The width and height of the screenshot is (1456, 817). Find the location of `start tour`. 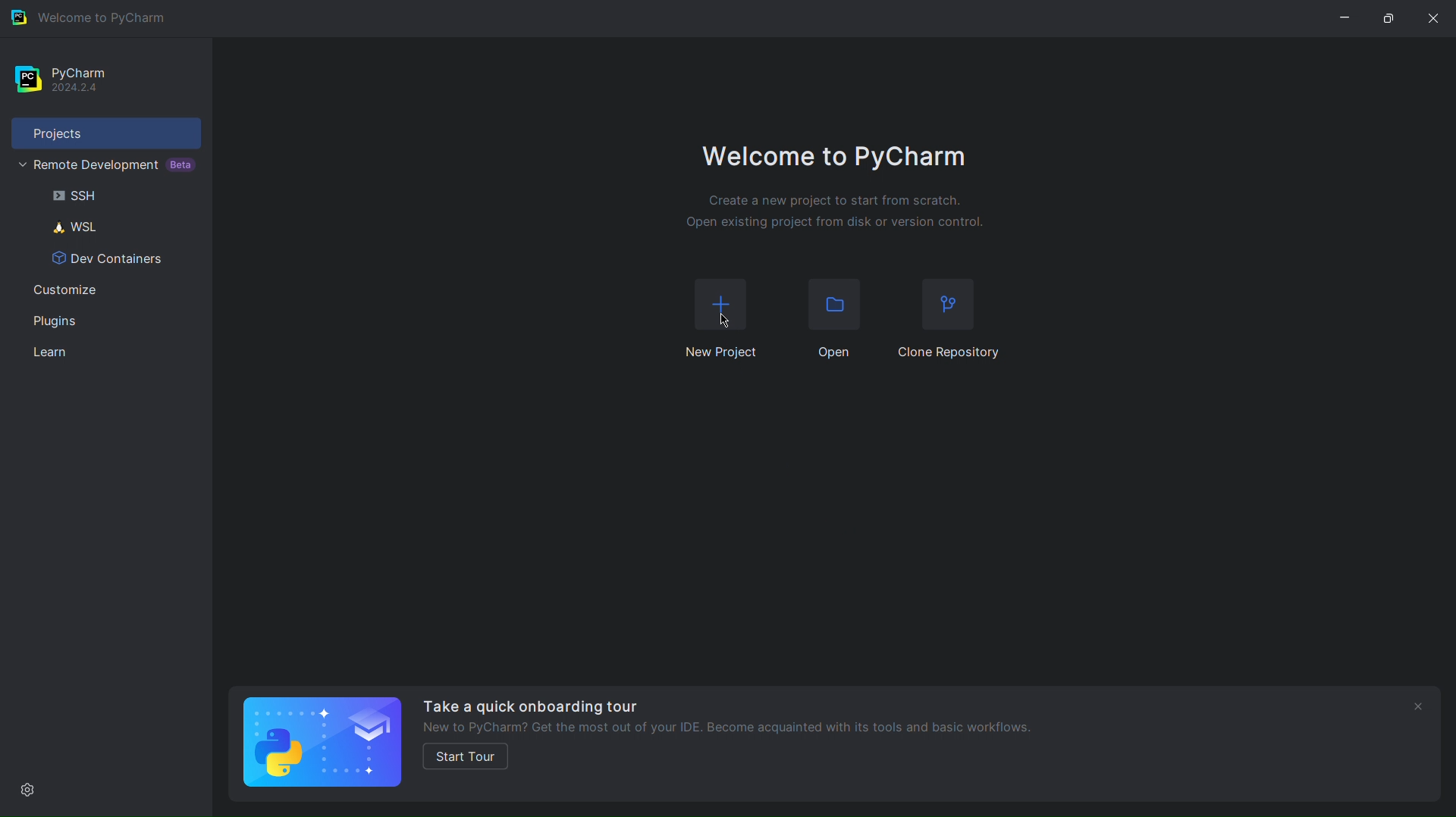

start tour is located at coordinates (466, 758).